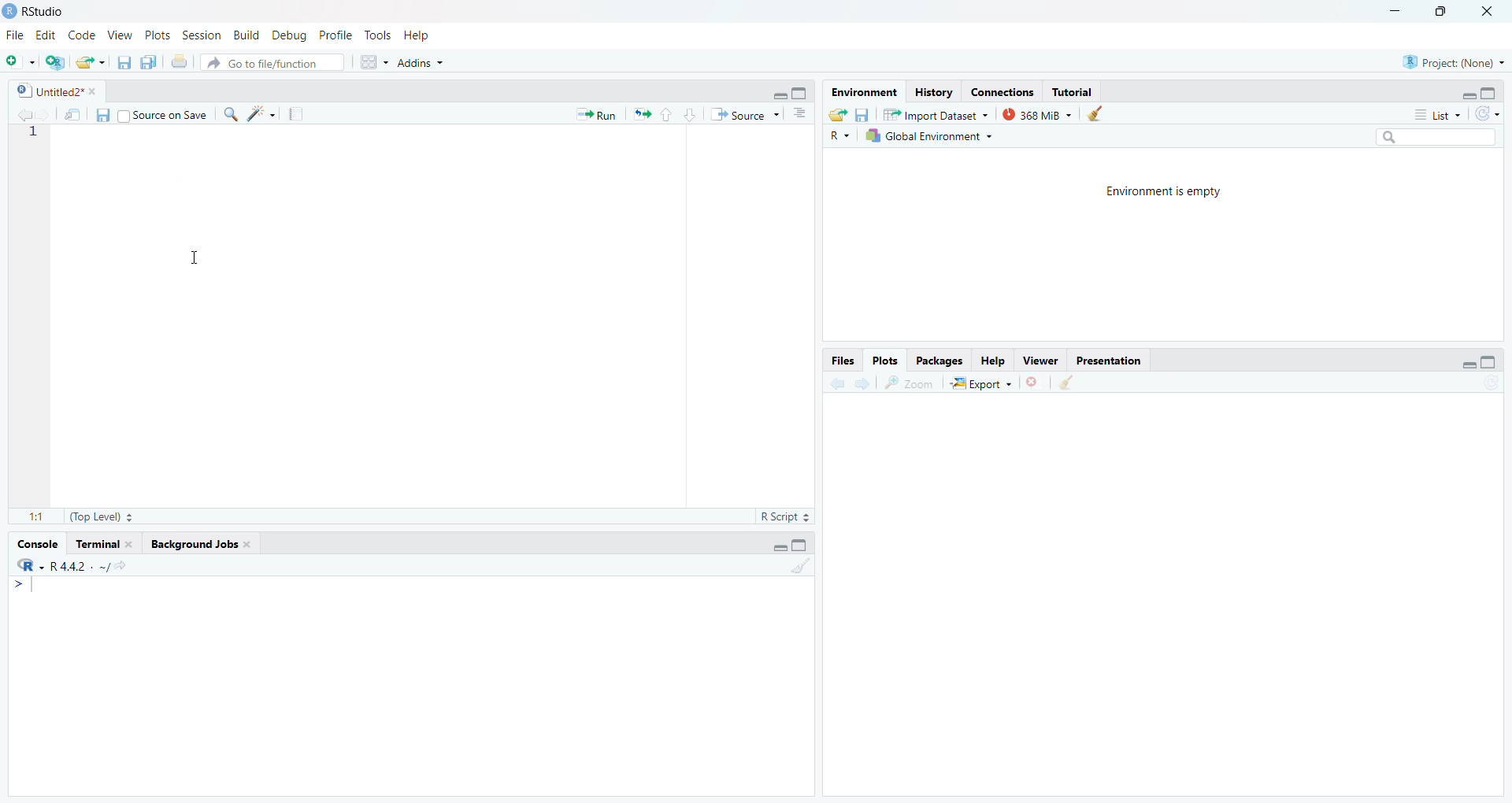 The height and width of the screenshot is (803, 1512). What do you see at coordinates (71, 564) in the screenshot?
I see `, R442 « ~/` at bounding box center [71, 564].